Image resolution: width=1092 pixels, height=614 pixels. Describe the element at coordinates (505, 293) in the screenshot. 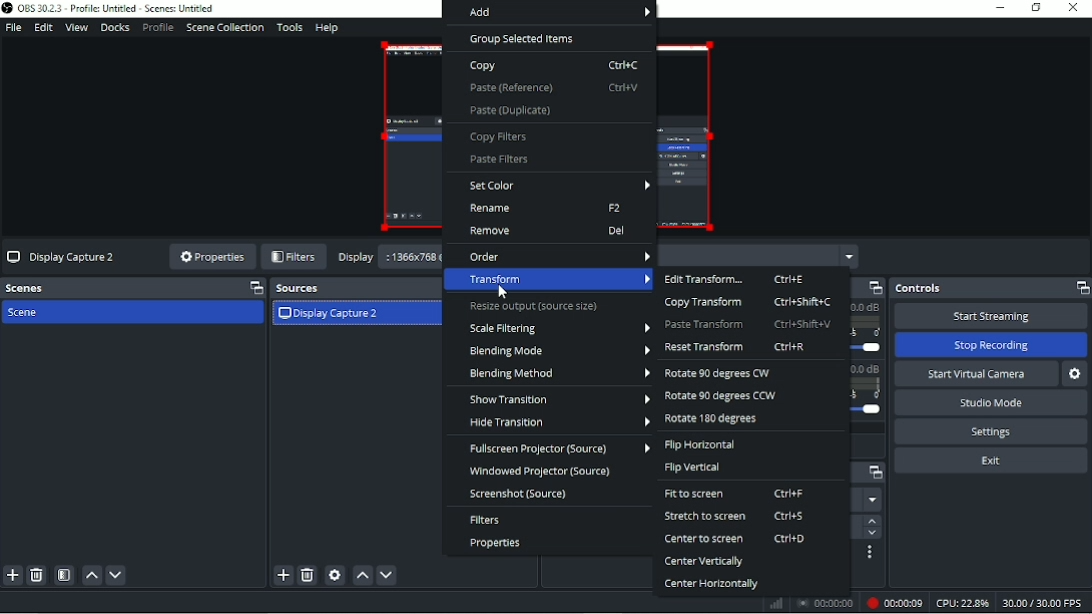

I see `Pointer` at that location.